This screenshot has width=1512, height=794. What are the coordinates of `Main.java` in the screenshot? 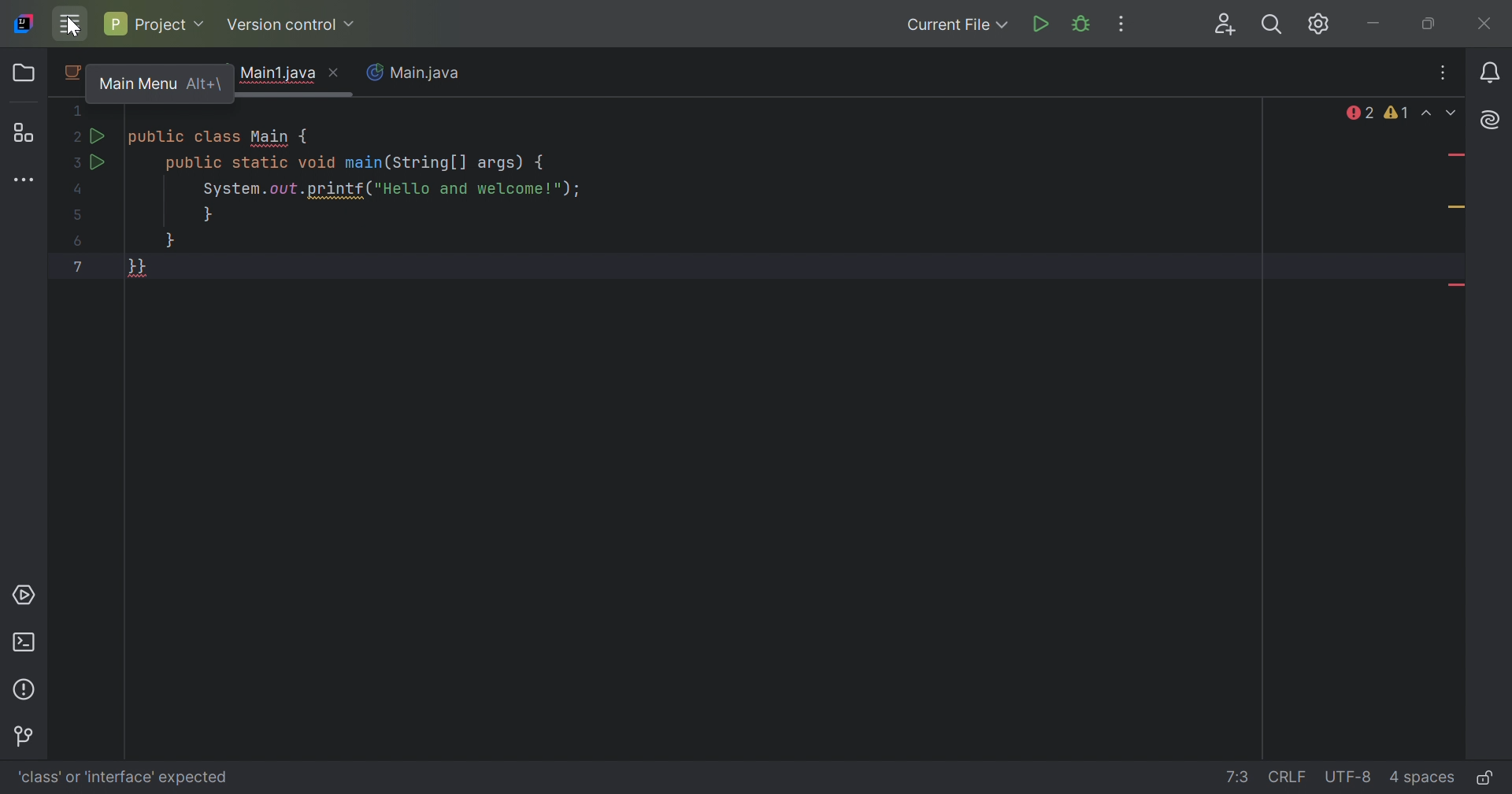 It's located at (419, 74).